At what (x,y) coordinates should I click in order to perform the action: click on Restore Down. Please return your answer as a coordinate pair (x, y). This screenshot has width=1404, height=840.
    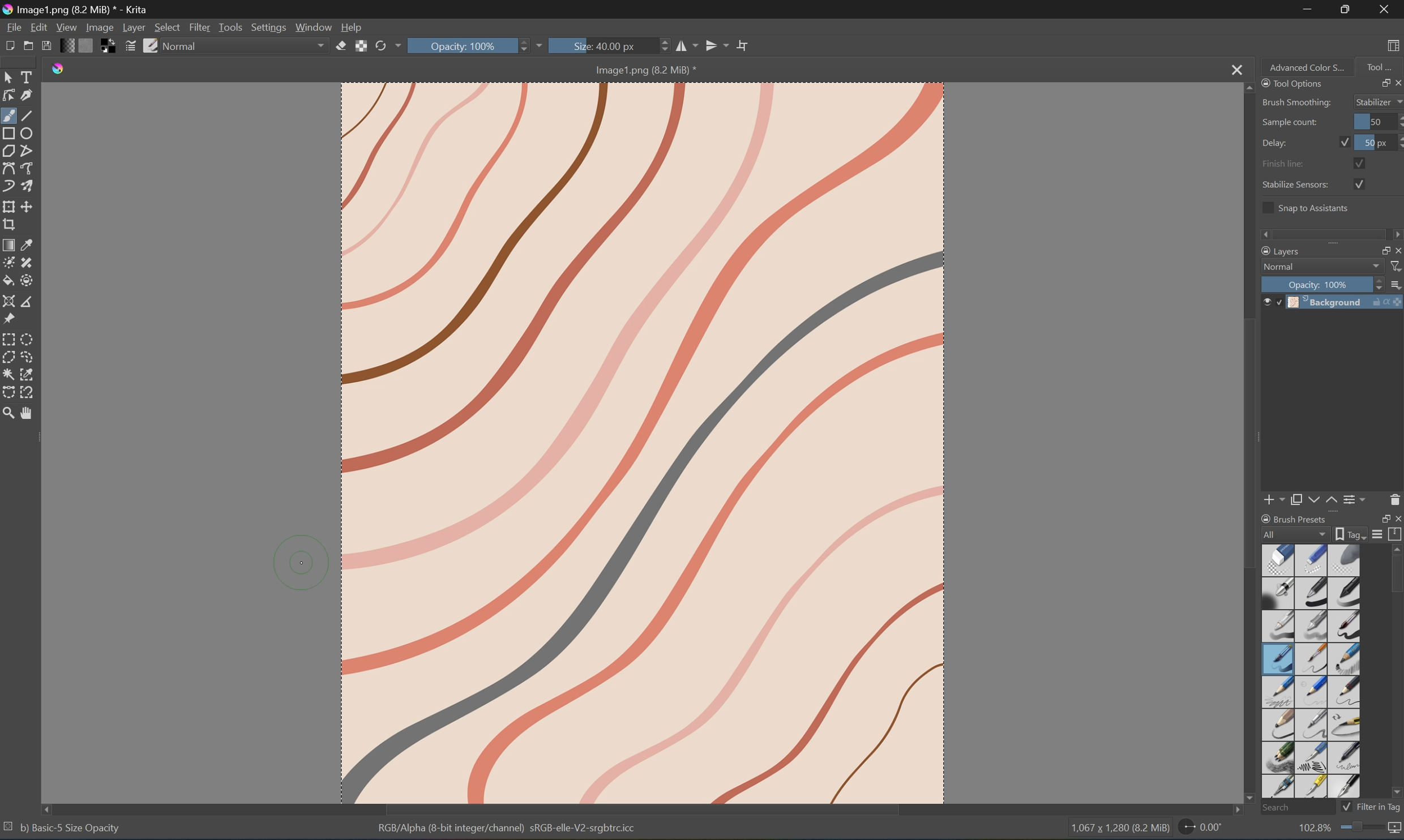
    Looking at the image, I should click on (1378, 250).